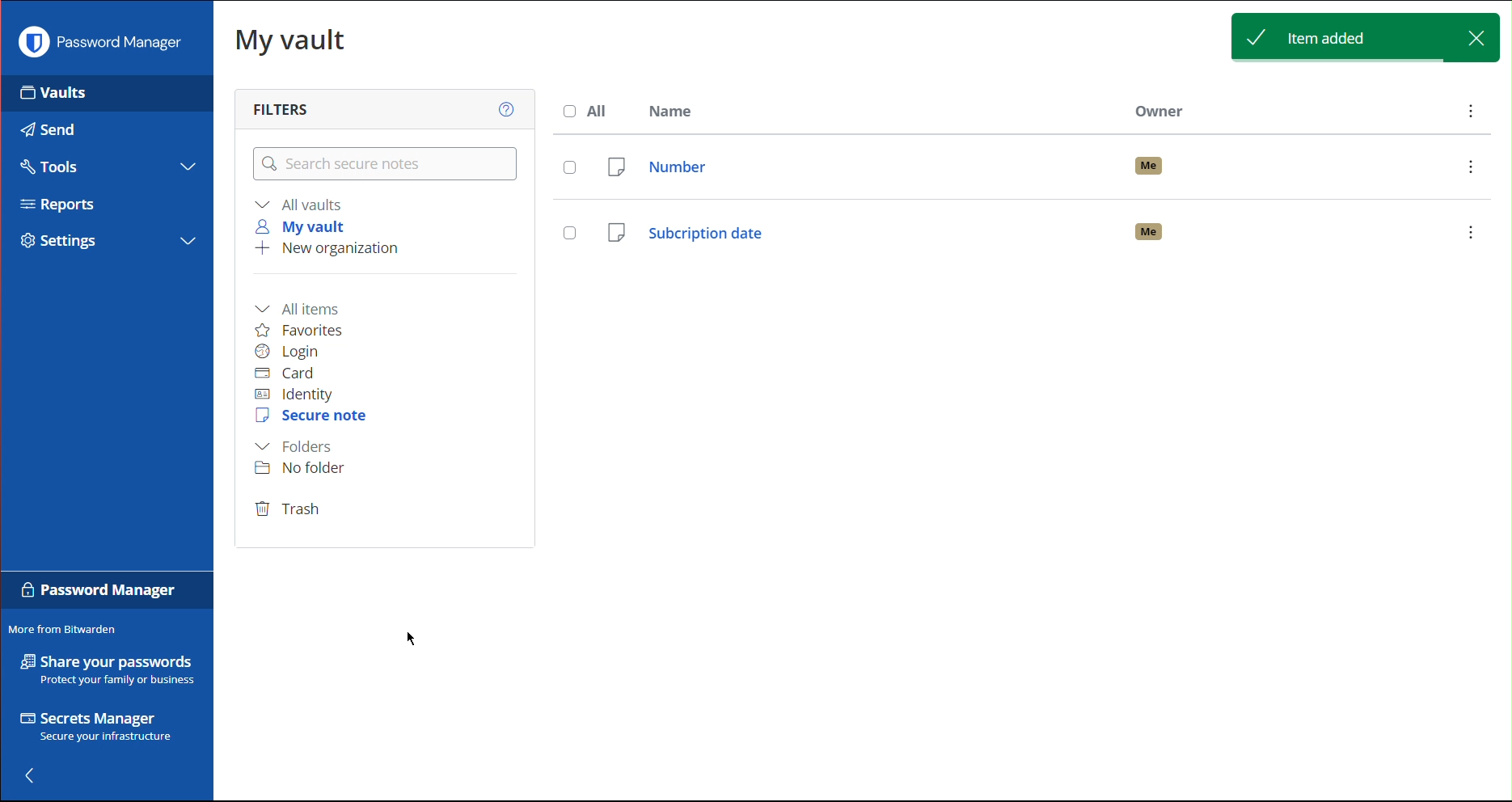 Image resolution: width=1512 pixels, height=802 pixels. I want to click on My Vault, so click(290, 39).